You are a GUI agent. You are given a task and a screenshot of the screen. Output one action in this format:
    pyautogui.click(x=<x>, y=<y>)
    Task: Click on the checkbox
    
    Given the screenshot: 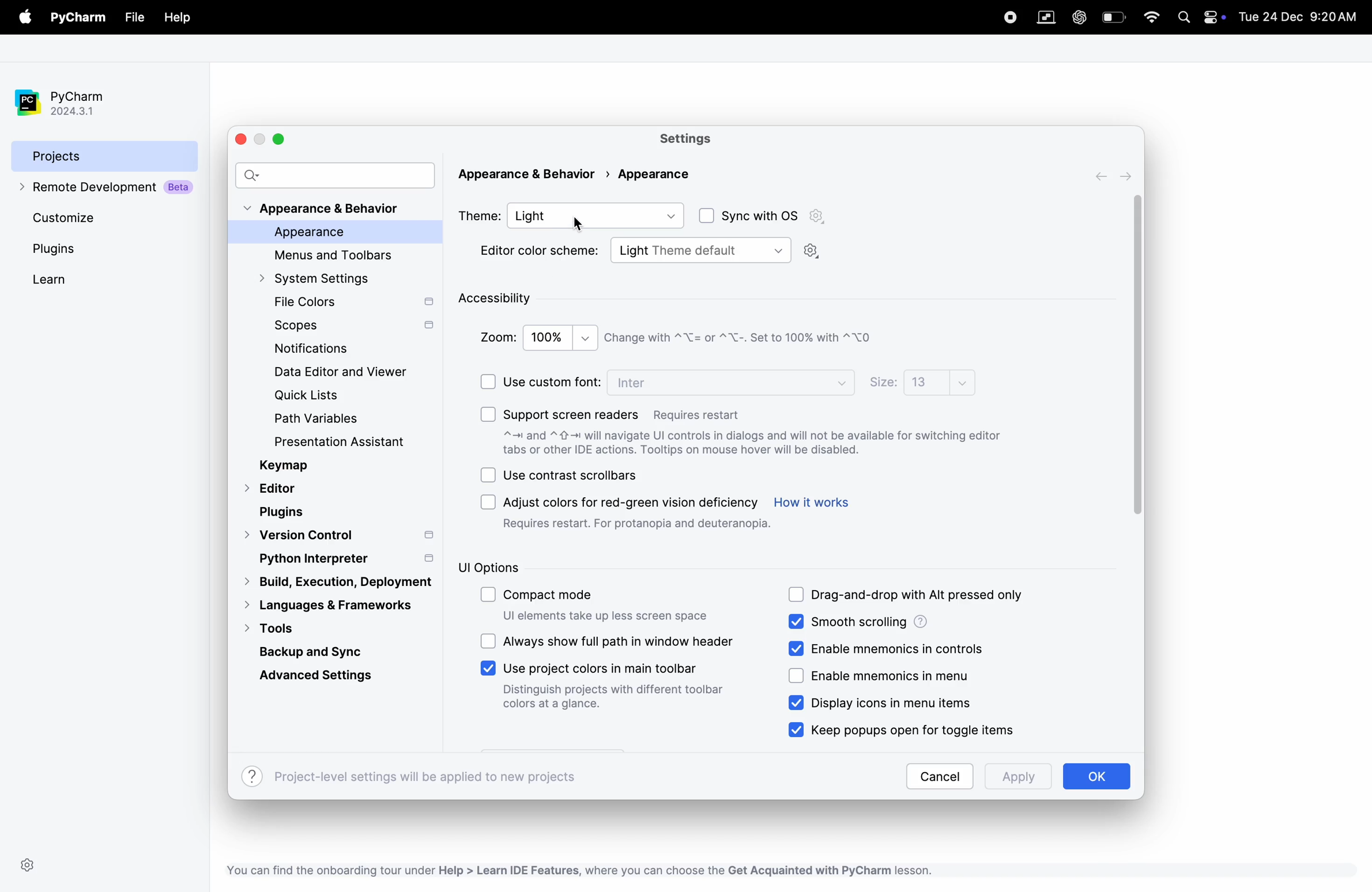 What is the action you would take?
    pyautogui.click(x=797, y=595)
    